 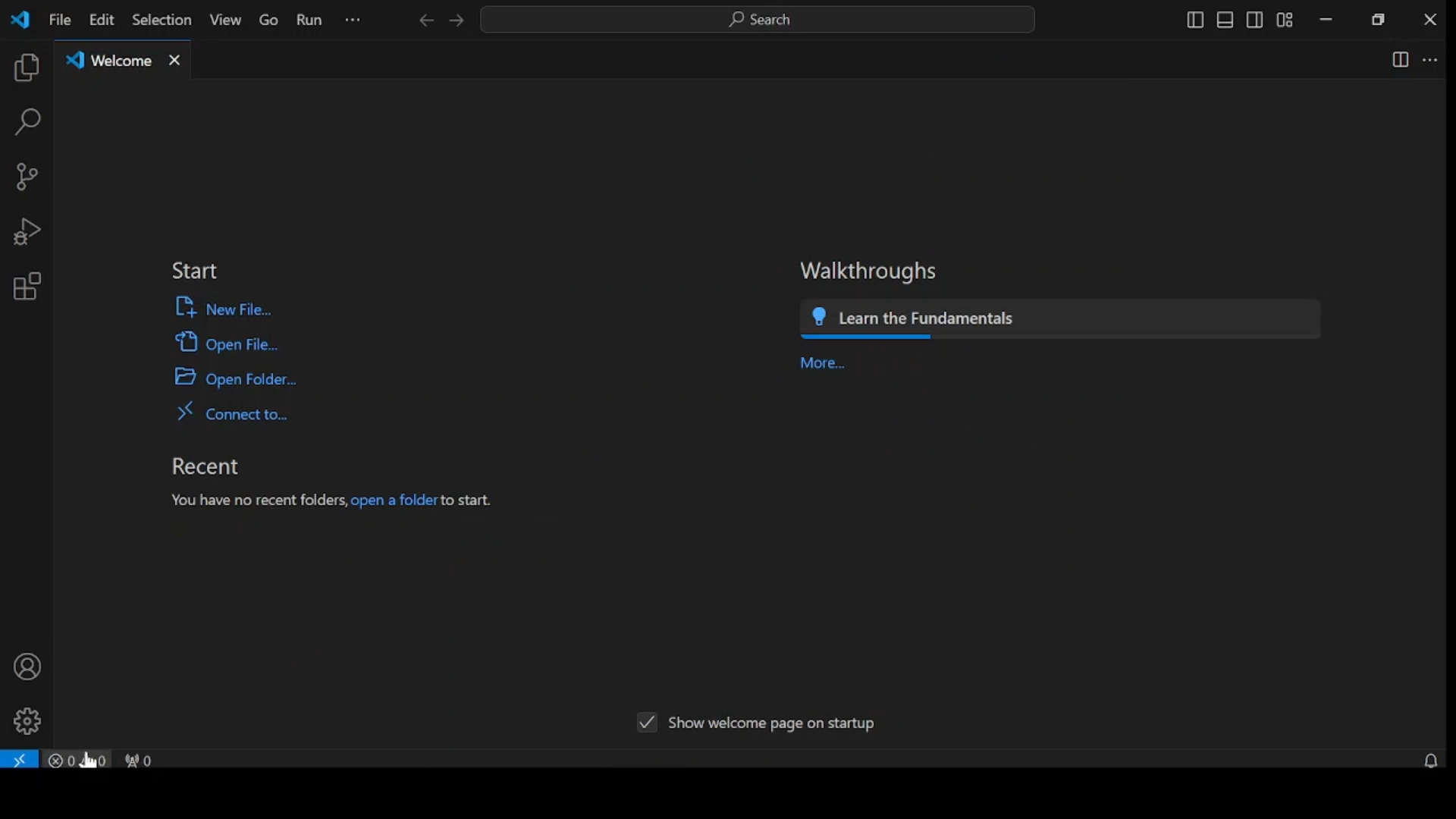 I want to click on no ports forwarded, so click(x=138, y=760).